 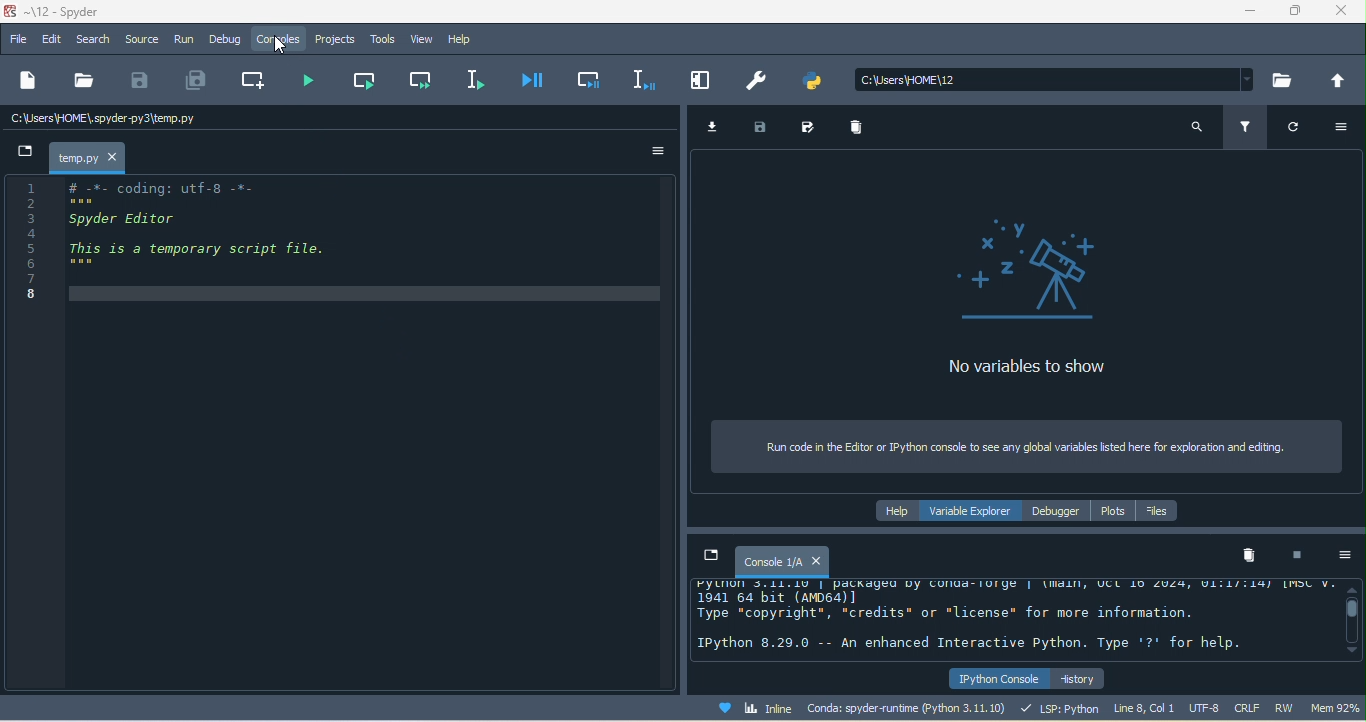 I want to click on consoles, so click(x=282, y=43).